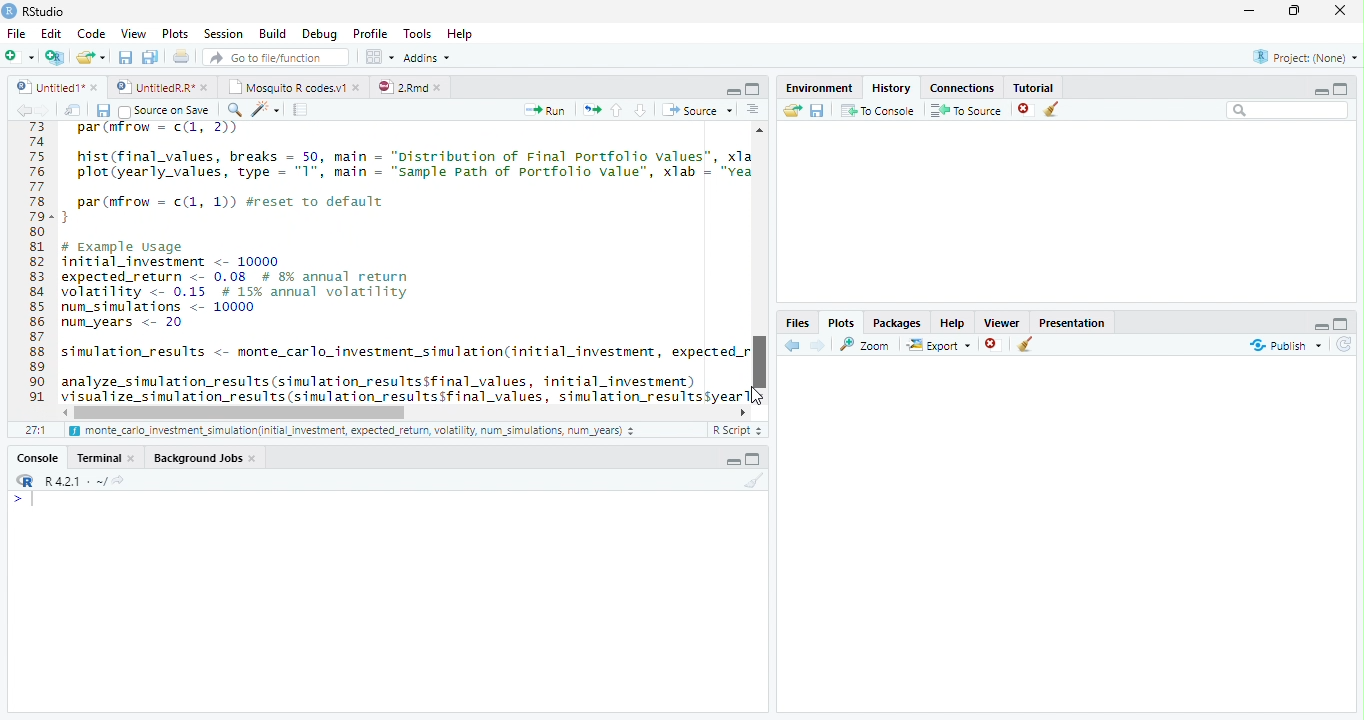 This screenshot has width=1364, height=720. I want to click on Remove selected, so click(995, 345).